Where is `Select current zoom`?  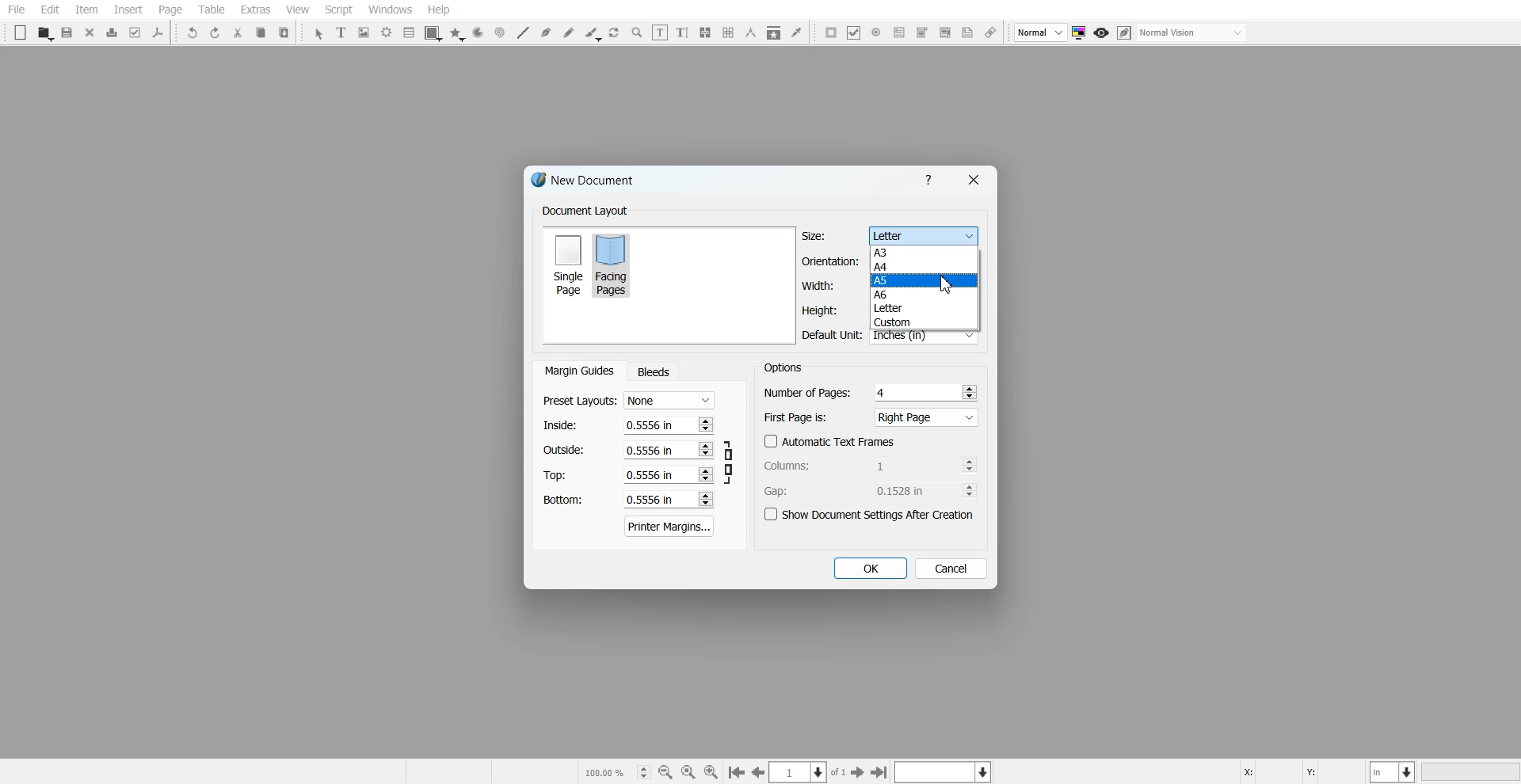
Select current zoom is located at coordinates (616, 771).